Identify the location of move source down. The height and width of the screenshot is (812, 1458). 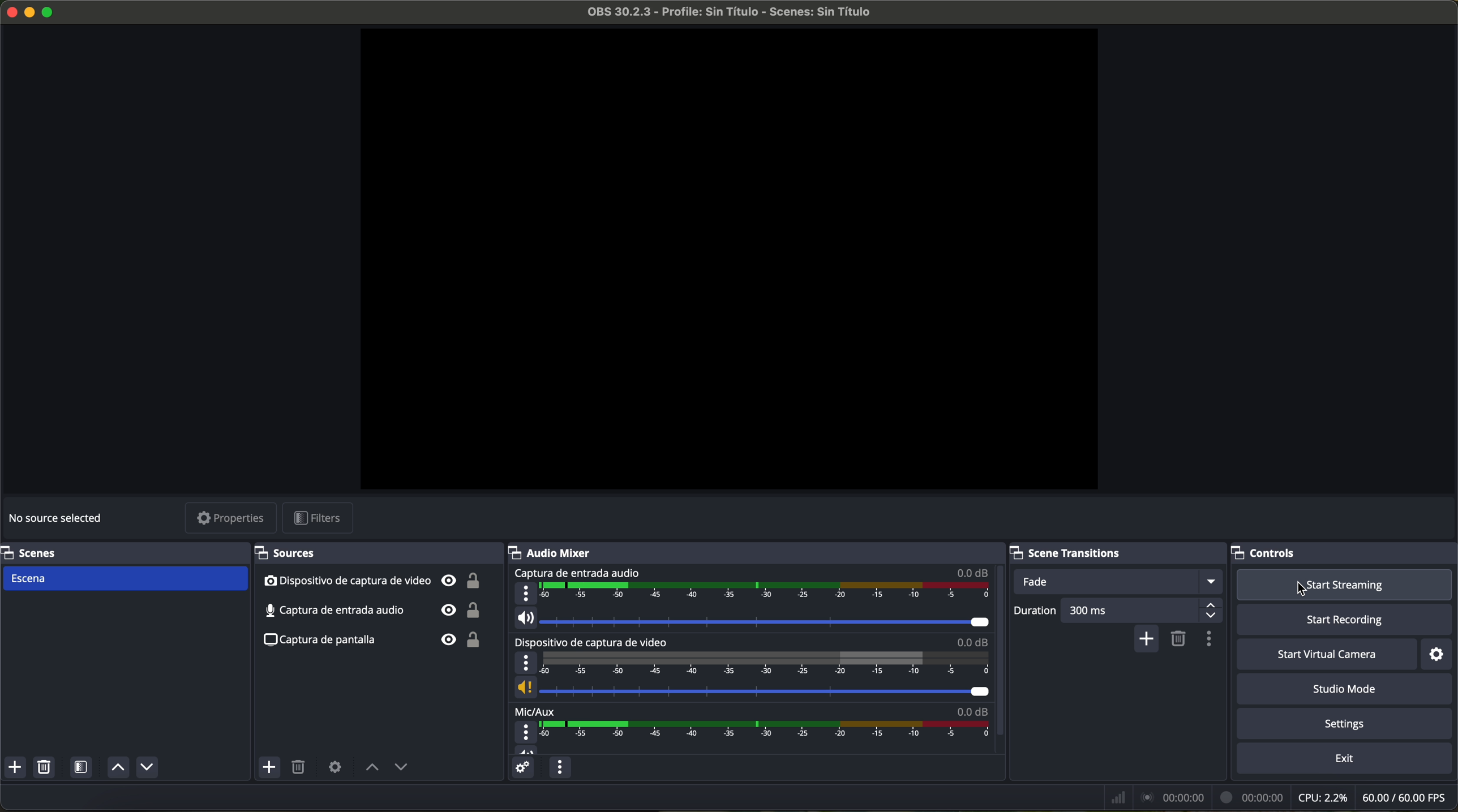
(147, 767).